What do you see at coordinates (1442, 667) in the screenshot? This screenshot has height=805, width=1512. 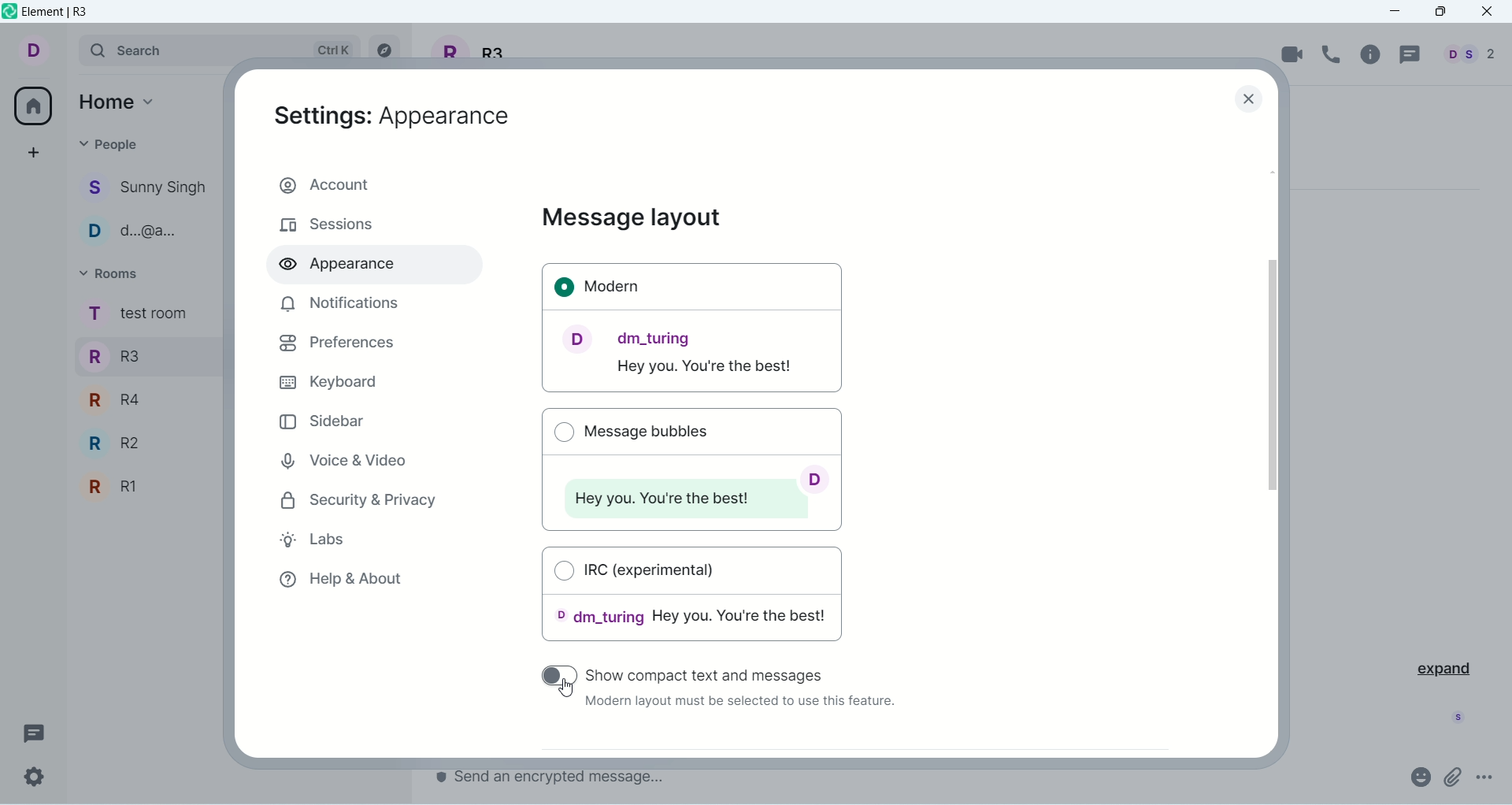 I see `expand` at bounding box center [1442, 667].